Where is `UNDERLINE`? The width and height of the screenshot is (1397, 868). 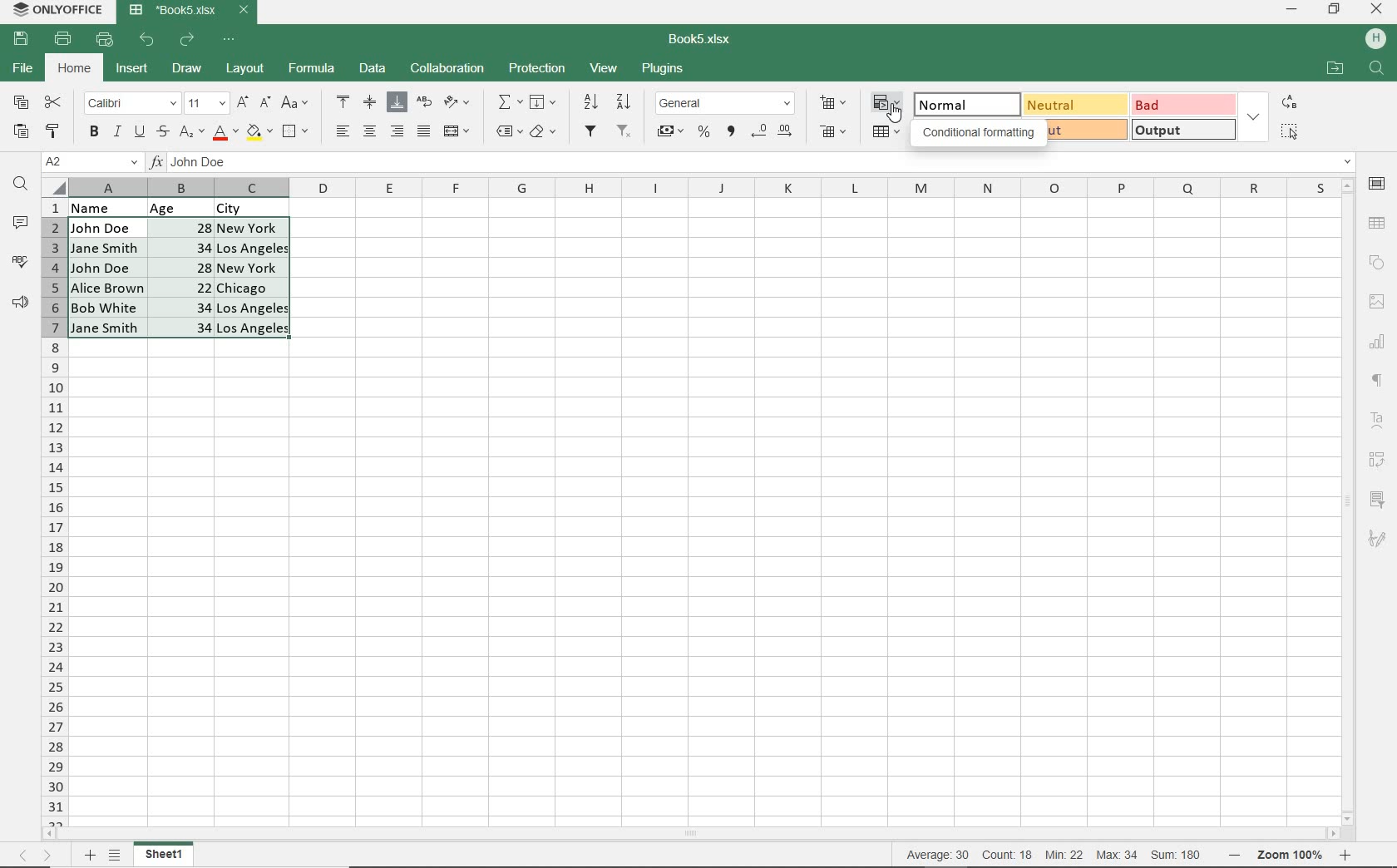
UNDERLINE is located at coordinates (138, 132).